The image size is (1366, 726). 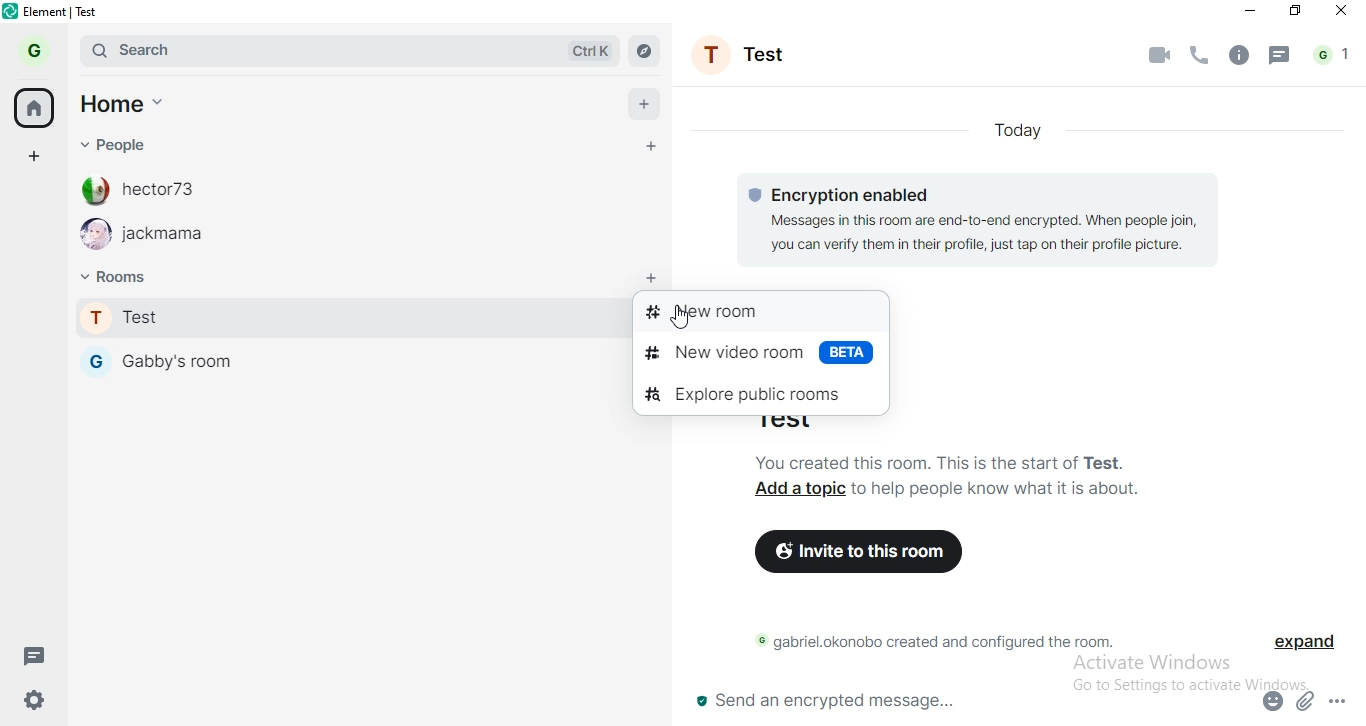 What do you see at coordinates (34, 699) in the screenshot?
I see `settings` at bounding box center [34, 699].